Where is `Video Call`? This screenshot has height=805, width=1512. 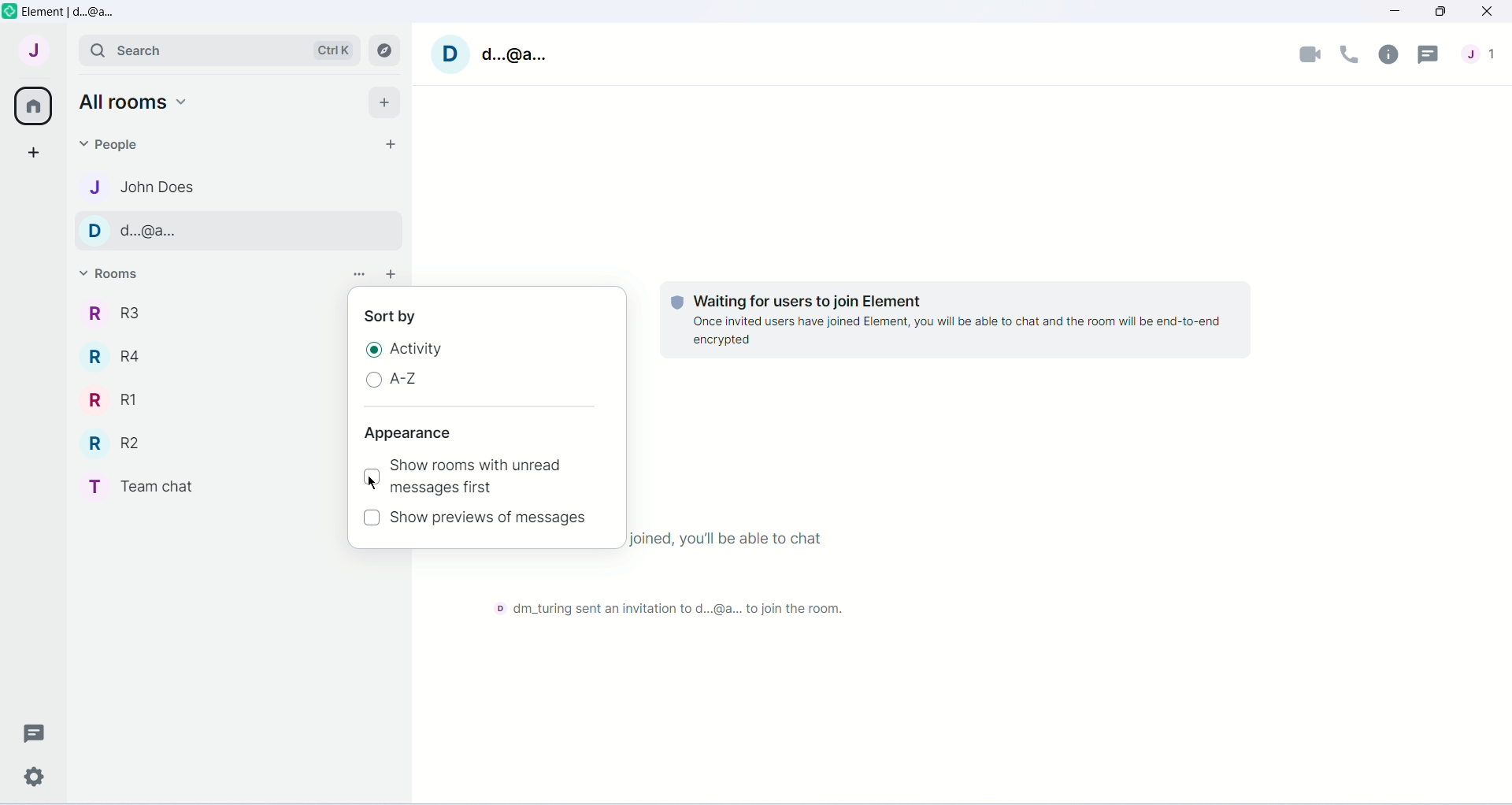
Video Call is located at coordinates (1310, 52).